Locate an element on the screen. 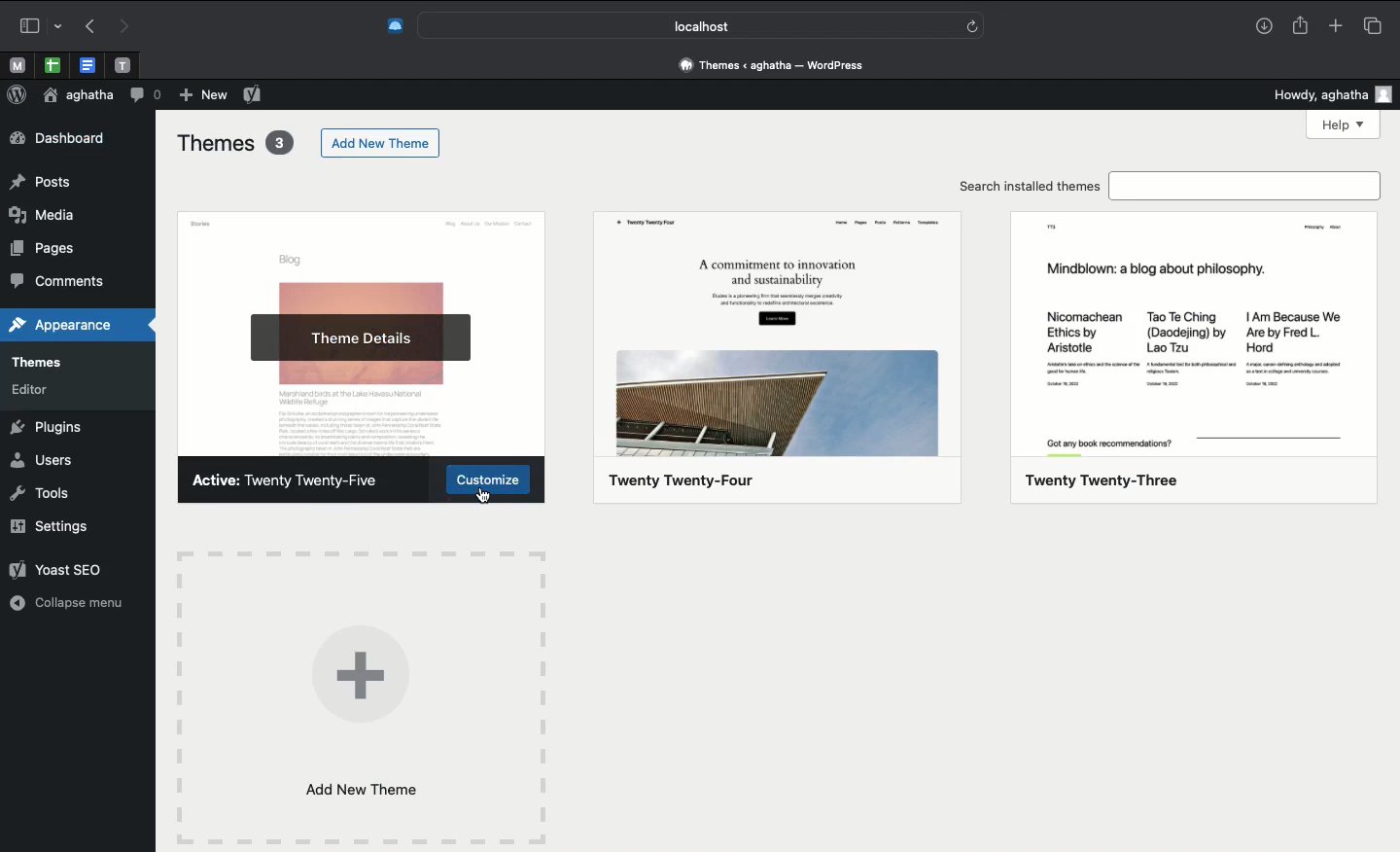  Settings is located at coordinates (48, 527).